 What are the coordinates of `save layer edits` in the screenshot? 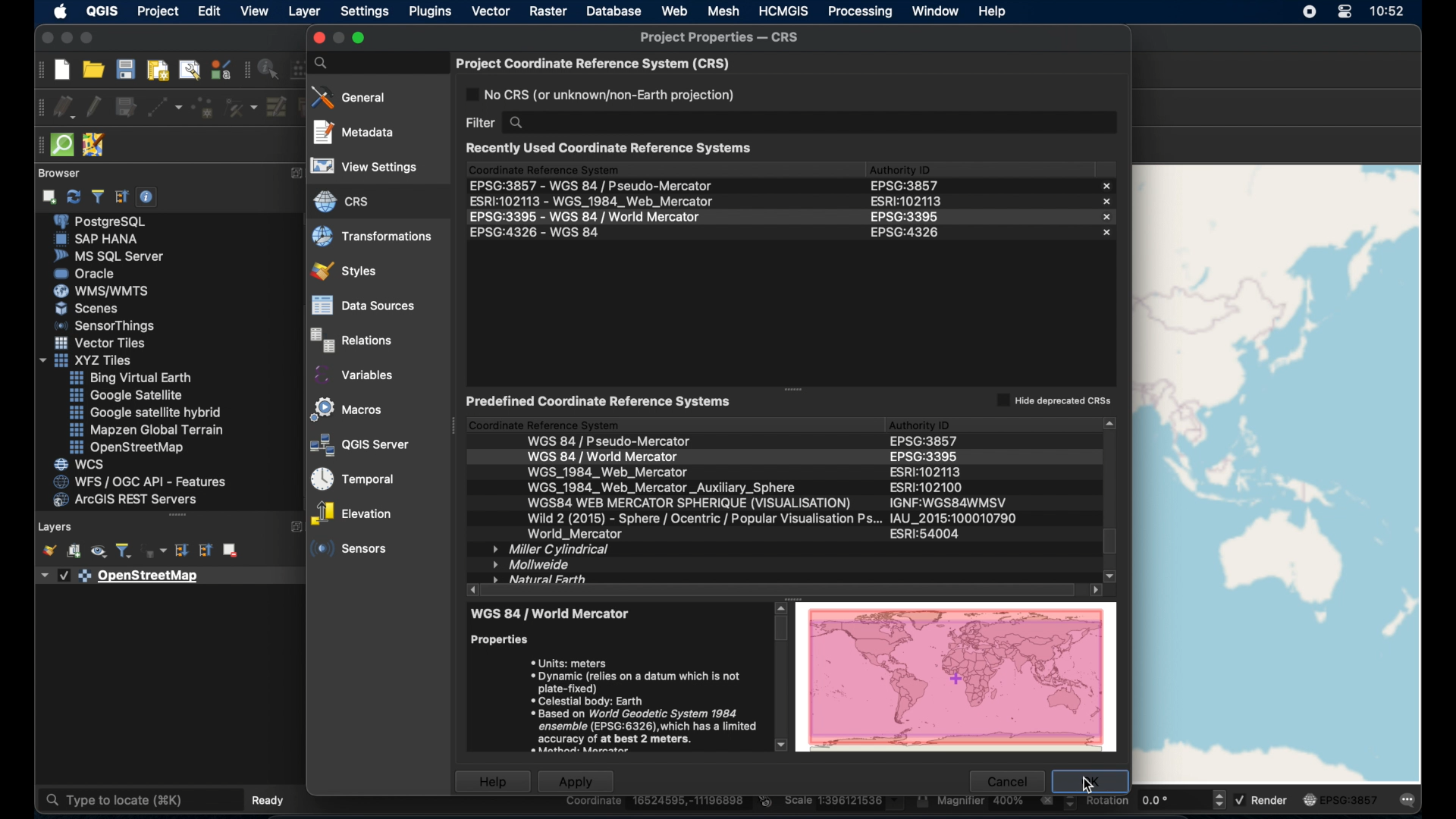 It's located at (127, 110).